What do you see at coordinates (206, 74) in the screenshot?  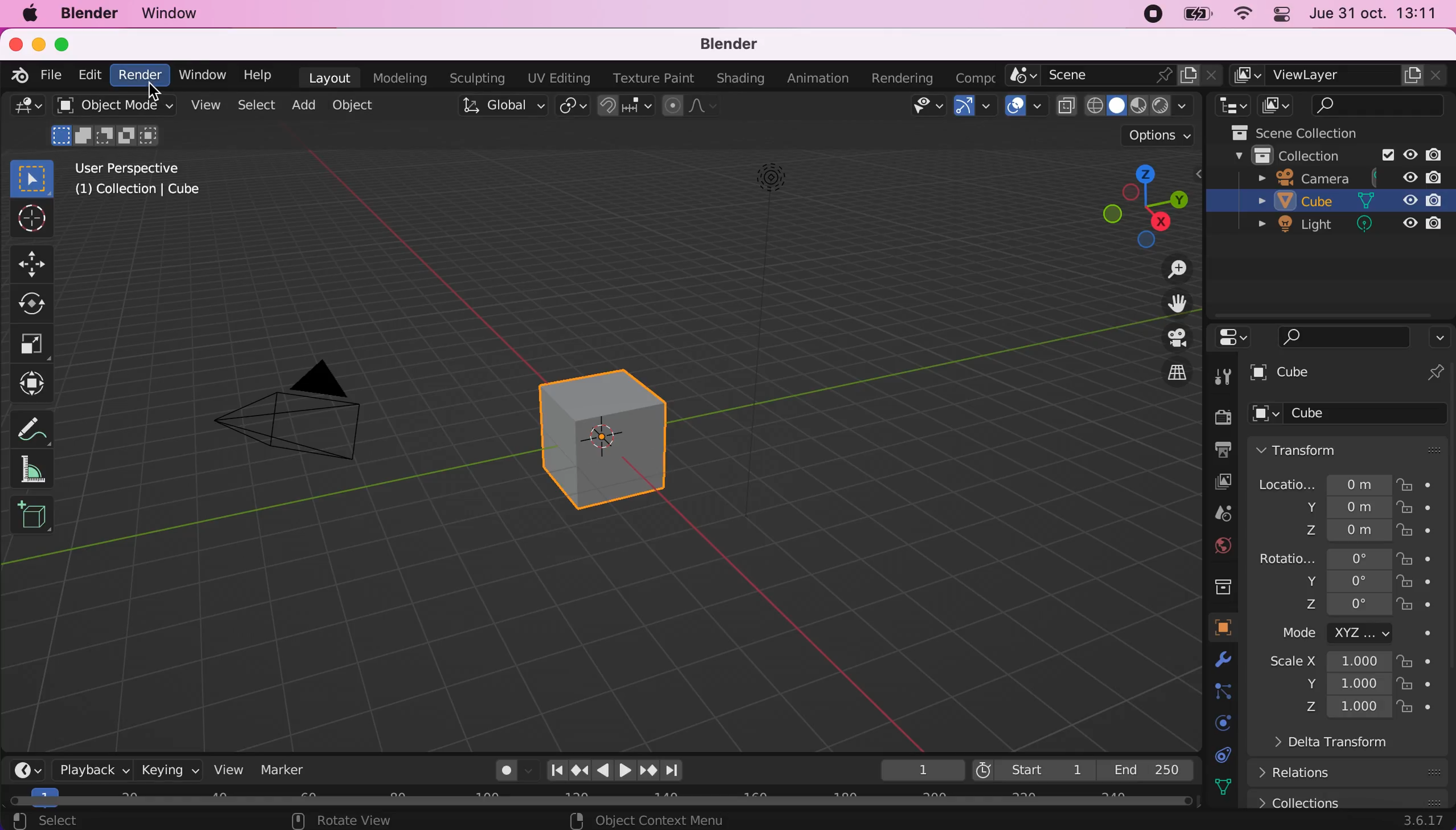 I see `window` at bounding box center [206, 74].